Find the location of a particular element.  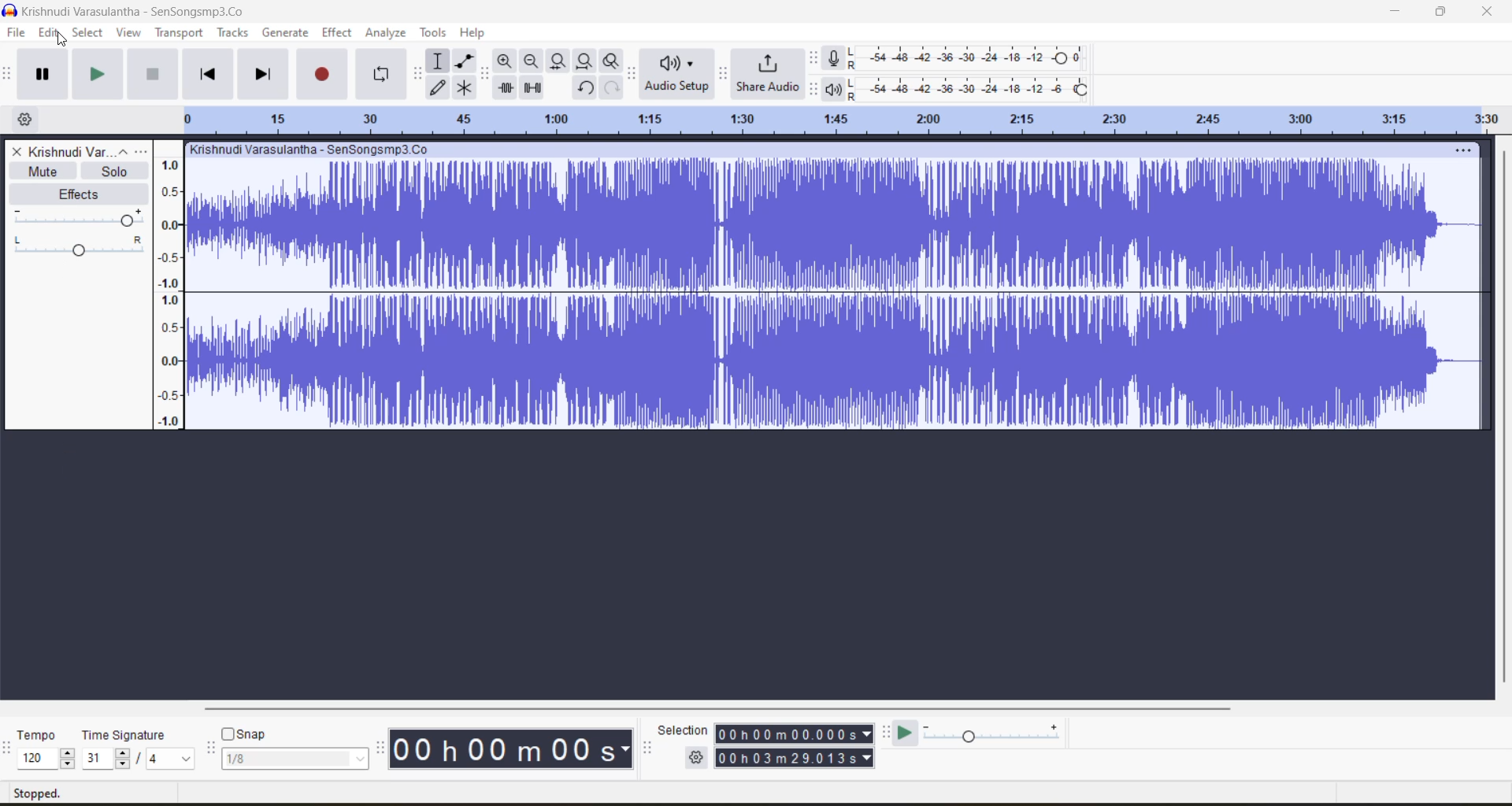

solo is located at coordinates (117, 172).